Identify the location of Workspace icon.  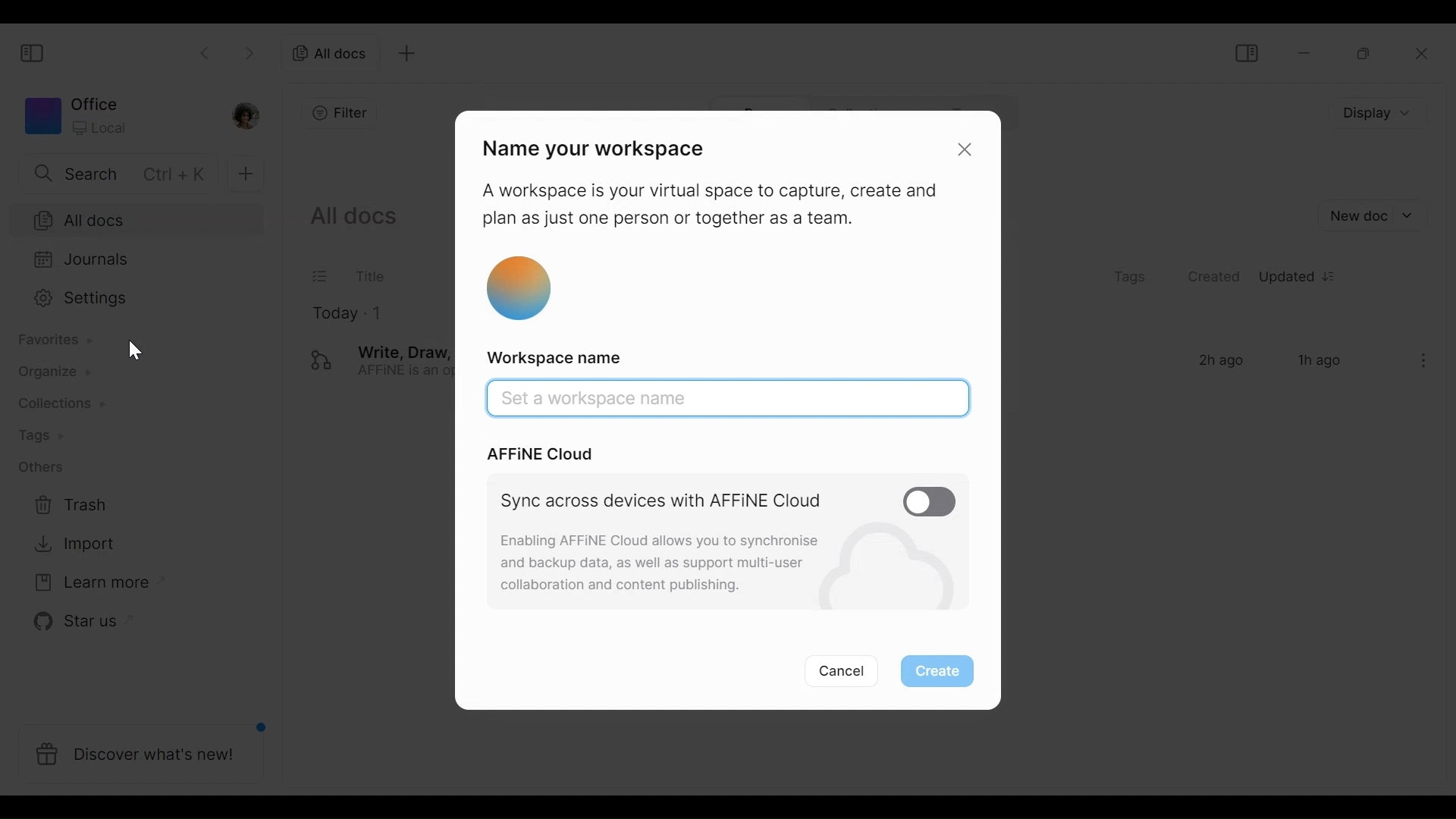
(519, 290).